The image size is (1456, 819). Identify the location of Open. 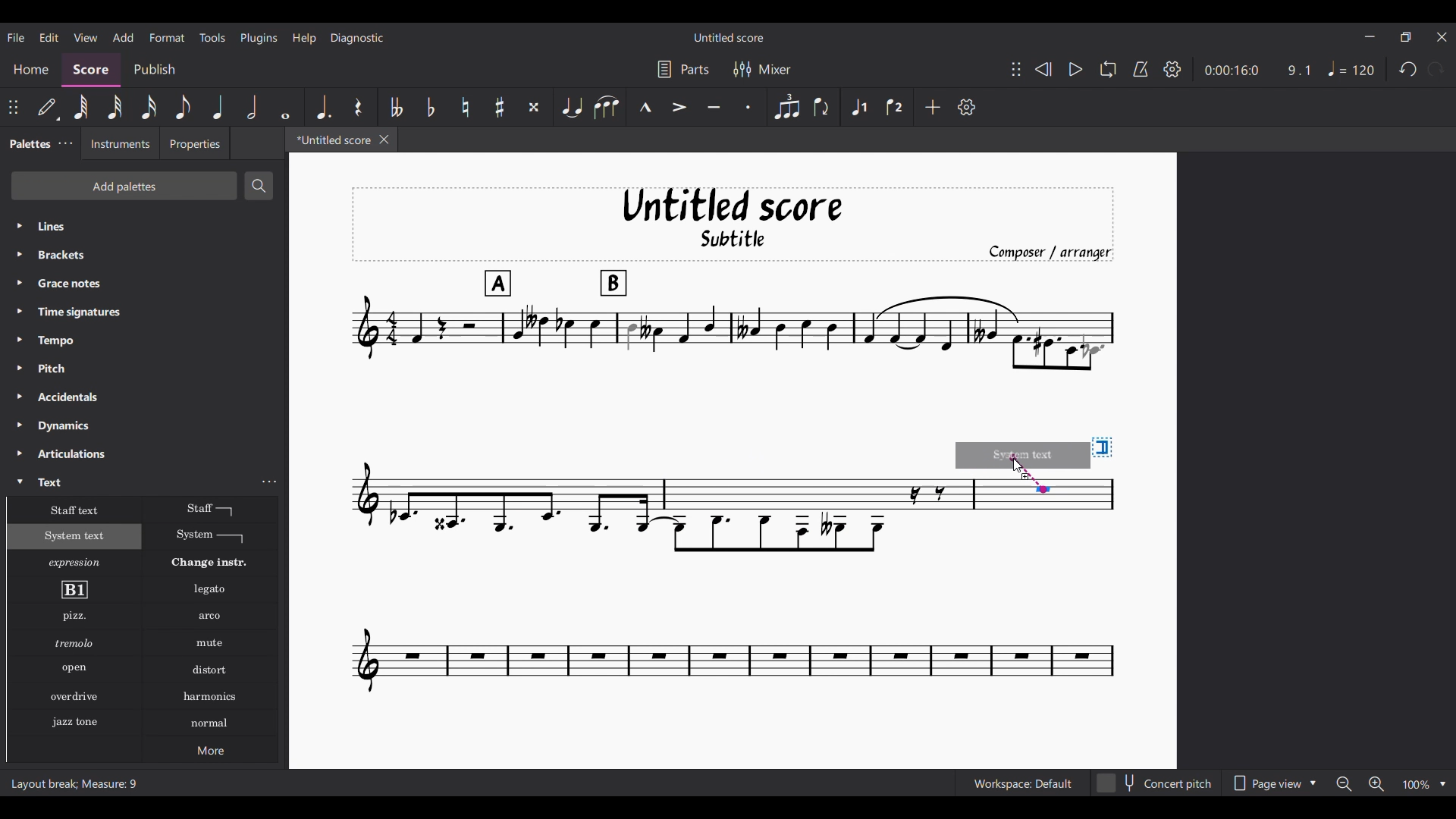
(74, 669).